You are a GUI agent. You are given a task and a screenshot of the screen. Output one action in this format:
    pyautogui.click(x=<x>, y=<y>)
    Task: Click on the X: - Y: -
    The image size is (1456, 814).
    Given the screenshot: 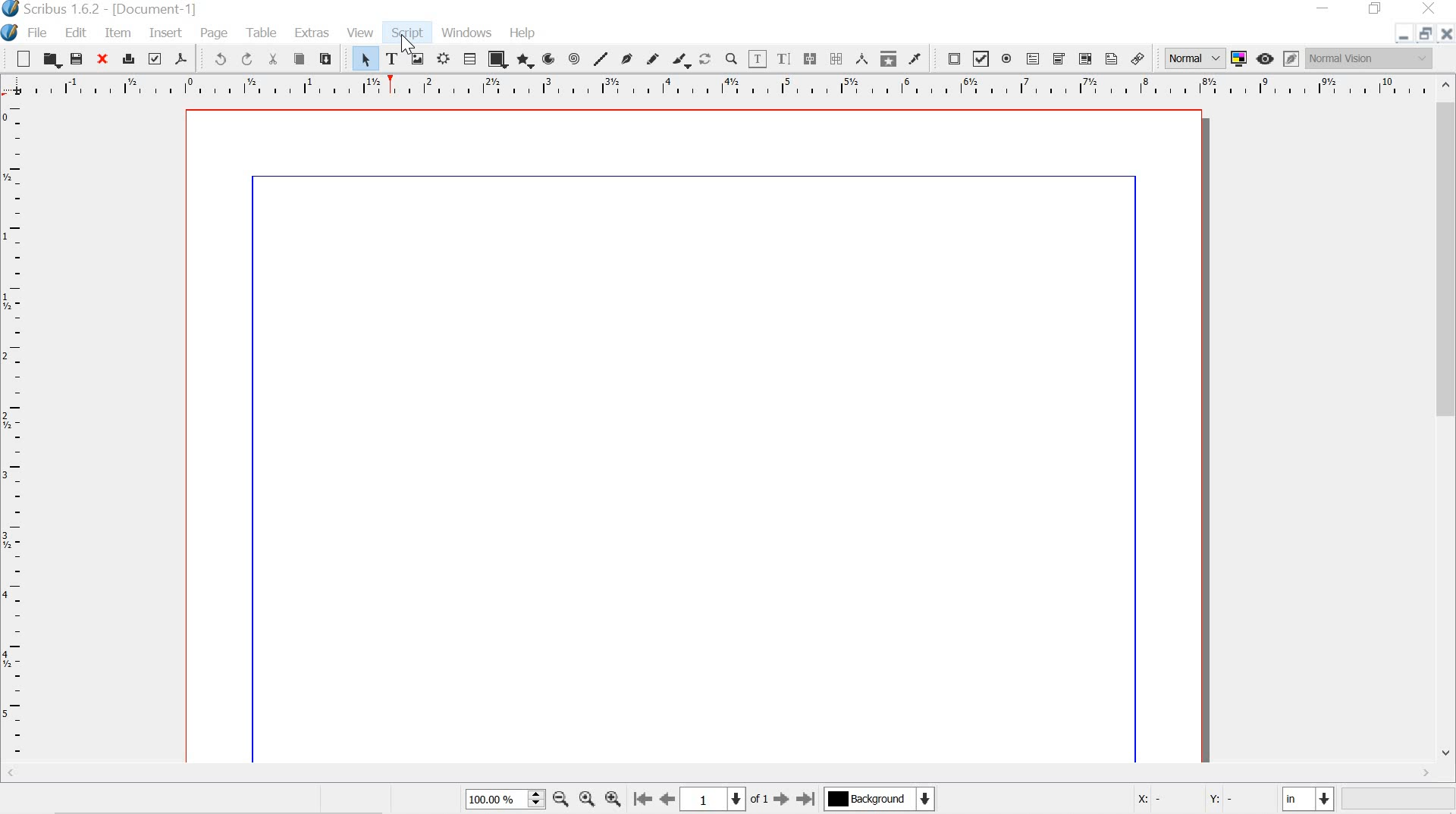 What is the action you would take?
    pyautogui.click(x=1197, y=800)
    